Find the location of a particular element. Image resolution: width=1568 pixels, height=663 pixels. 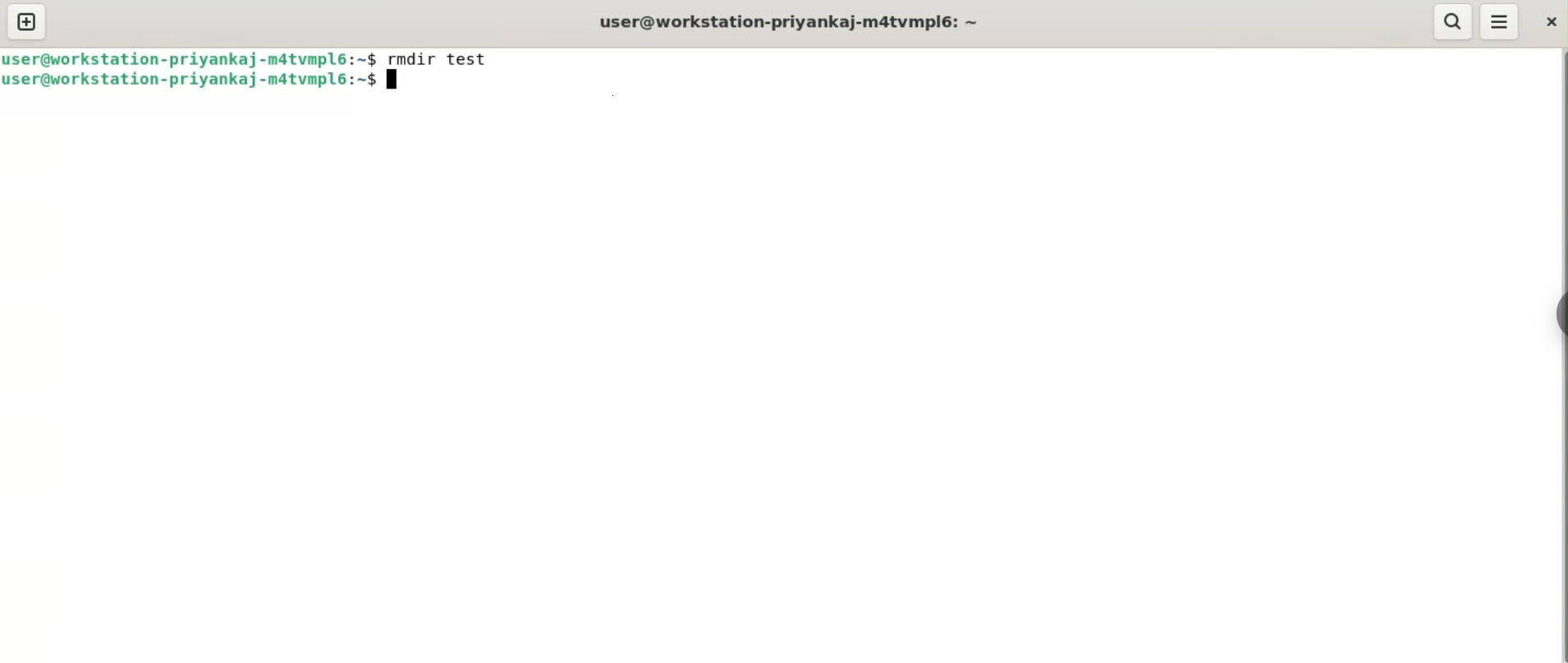

cursor is located at coordinates (395, 83).